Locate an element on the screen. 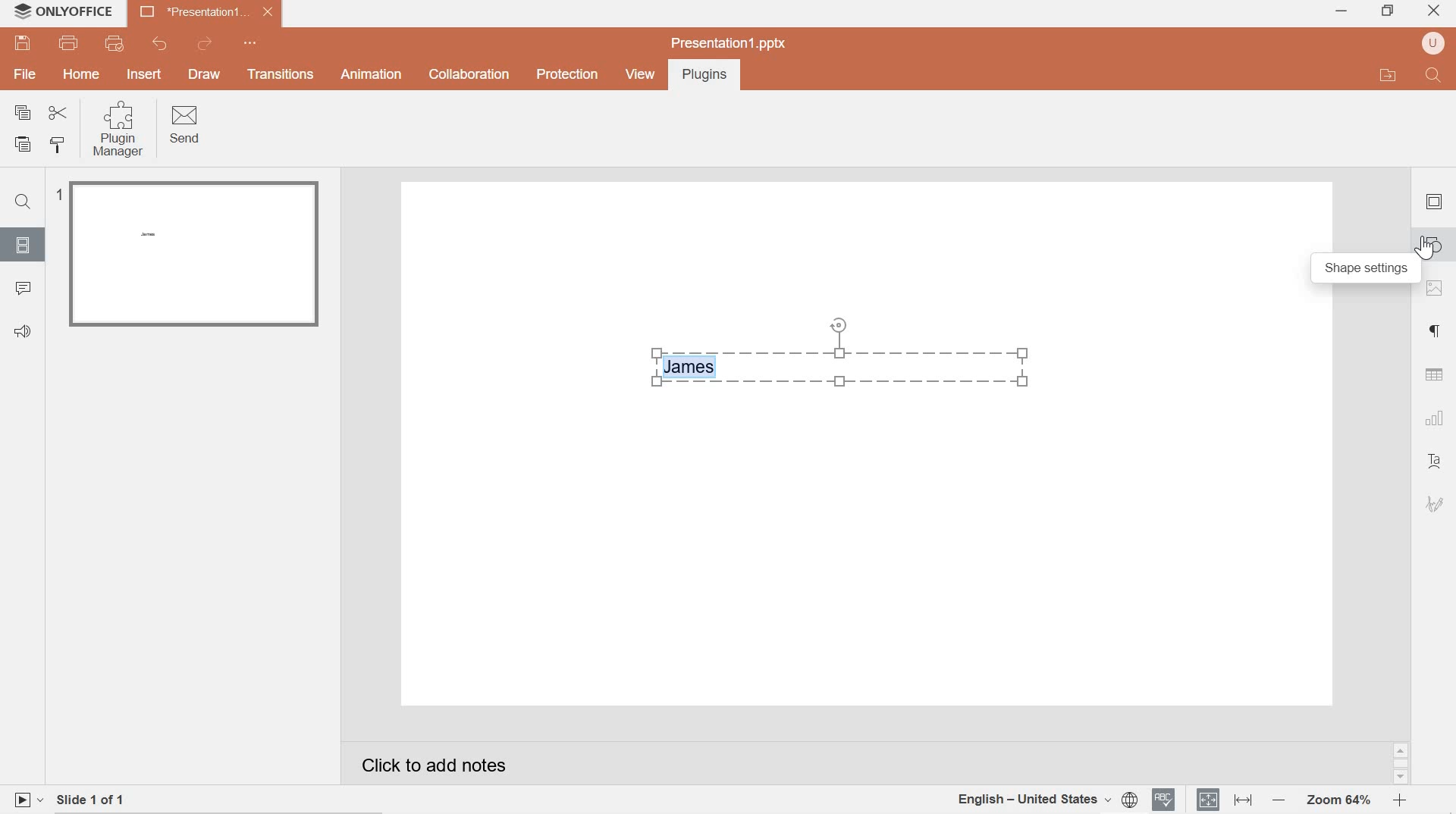 This screenshot has height=814, width=1456. paragraph settings is located at coordinates (1437, 332).